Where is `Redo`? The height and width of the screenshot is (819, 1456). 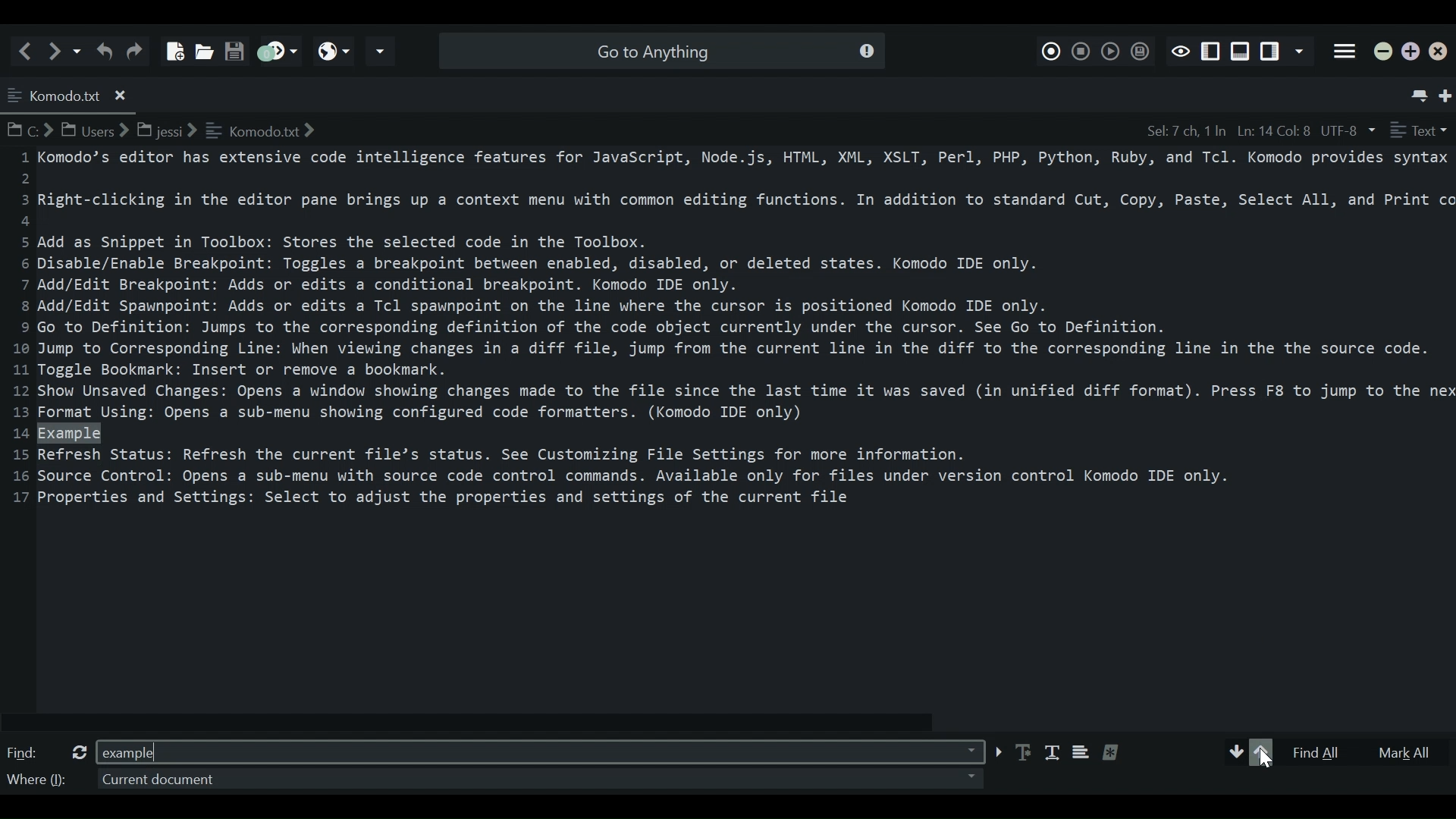 Redo is located at coordinates (137, 50).